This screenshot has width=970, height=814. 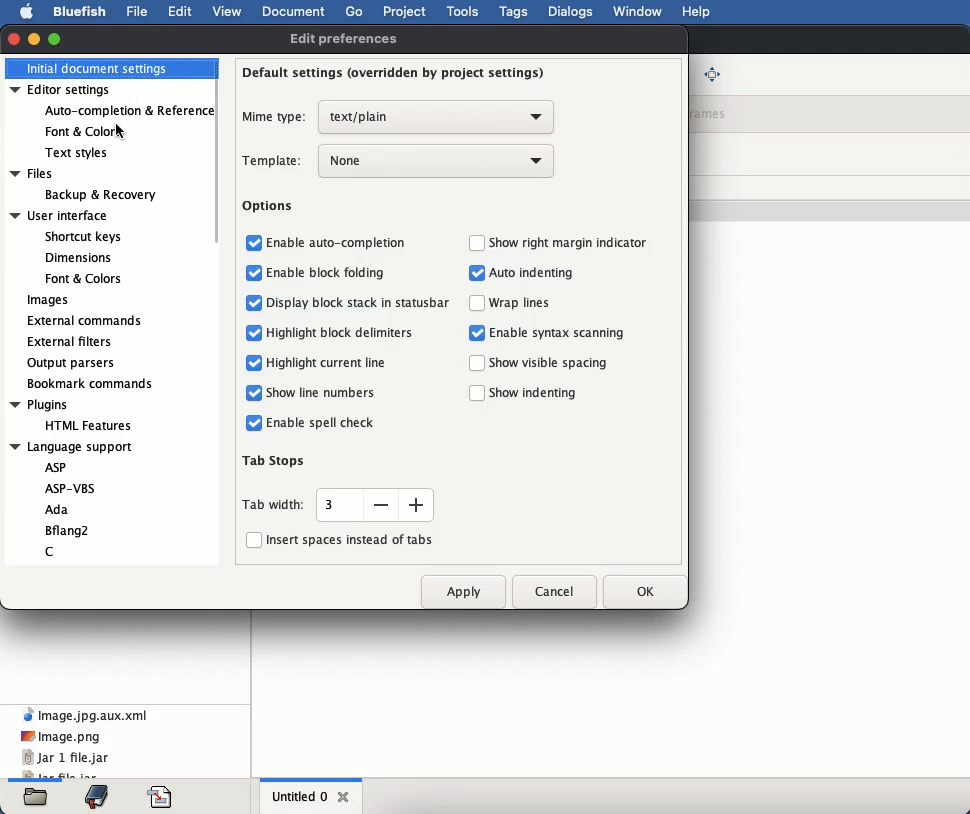 What do you see at coordinates (73, 365) in the screenshot?
I see `output parsers` at bounding box center [73, 365].